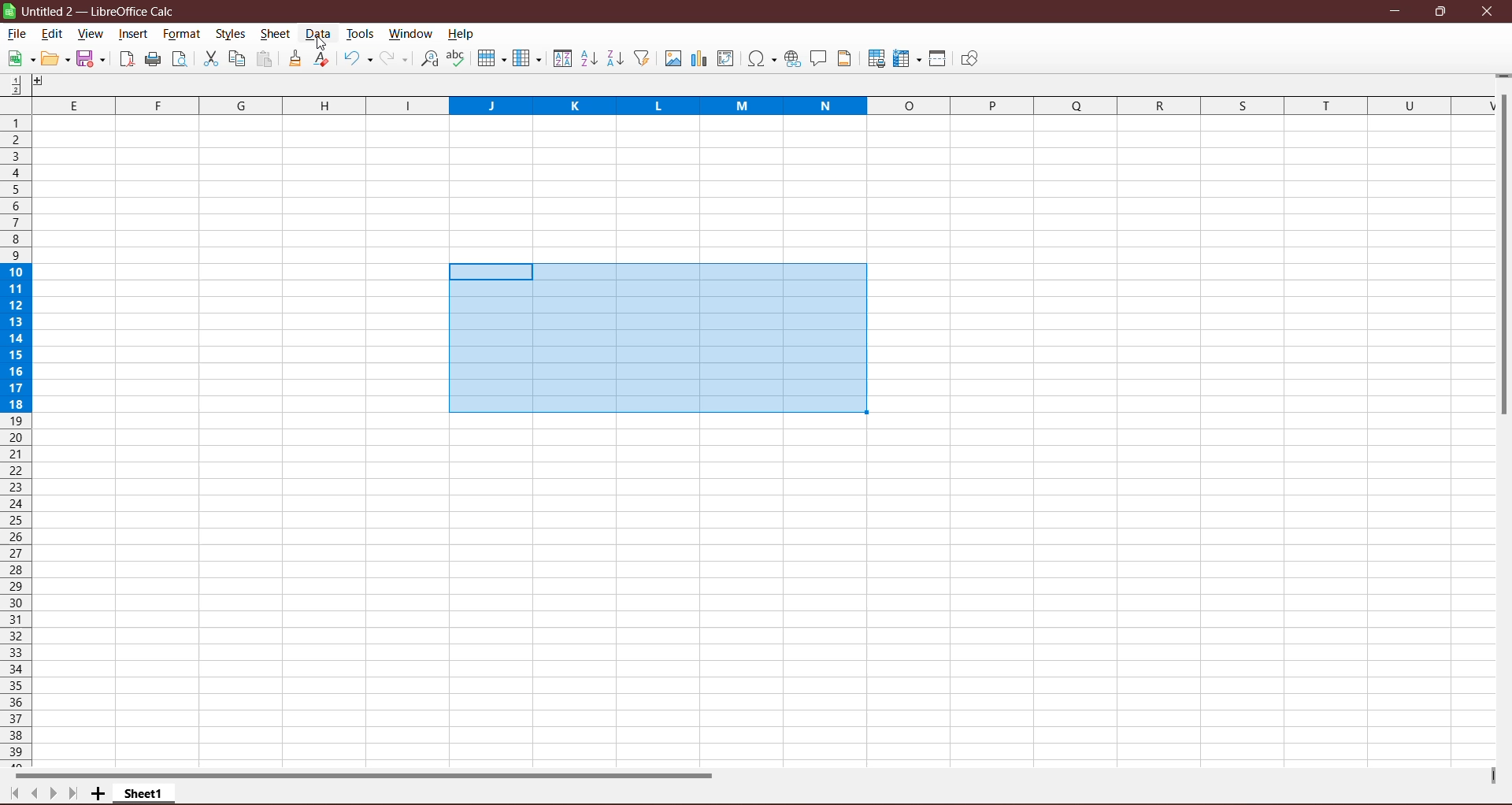 This screenshot has width=1512, height=805. I want to click on Columns, so click(749, 104).